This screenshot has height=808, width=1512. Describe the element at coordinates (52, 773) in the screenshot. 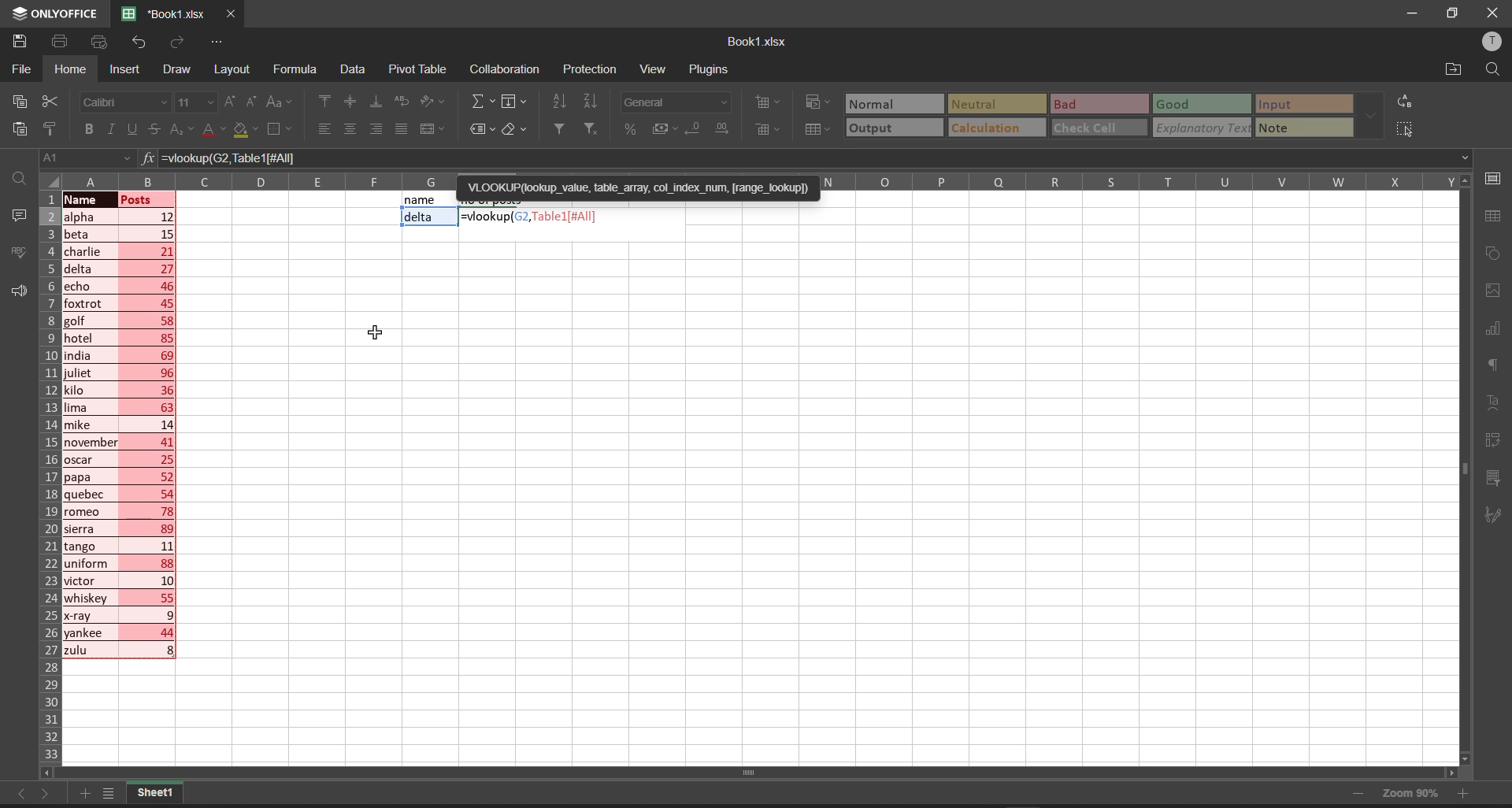

I see `scroll left` at that location.